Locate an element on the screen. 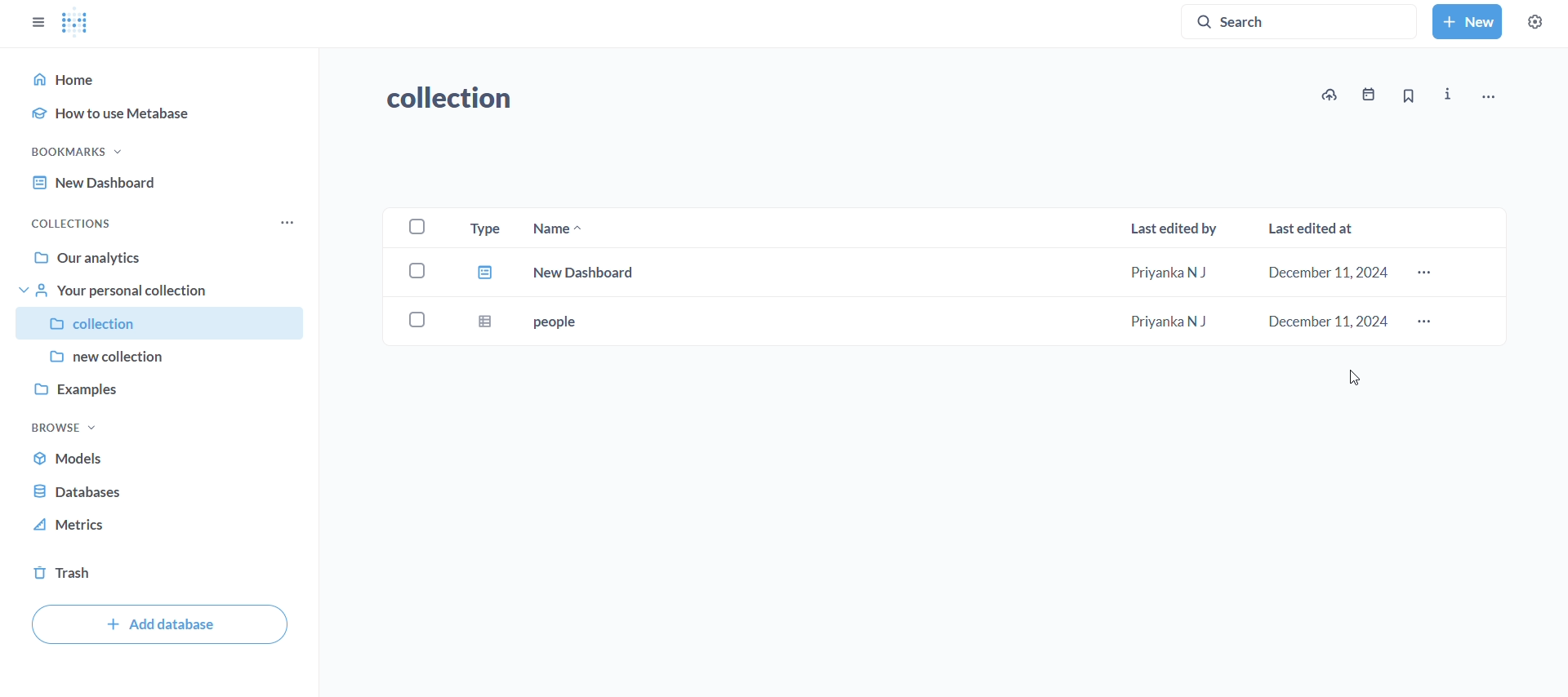 This screenshot has width=1568, height=697. bookmark is located at coordinates (1408, 96).